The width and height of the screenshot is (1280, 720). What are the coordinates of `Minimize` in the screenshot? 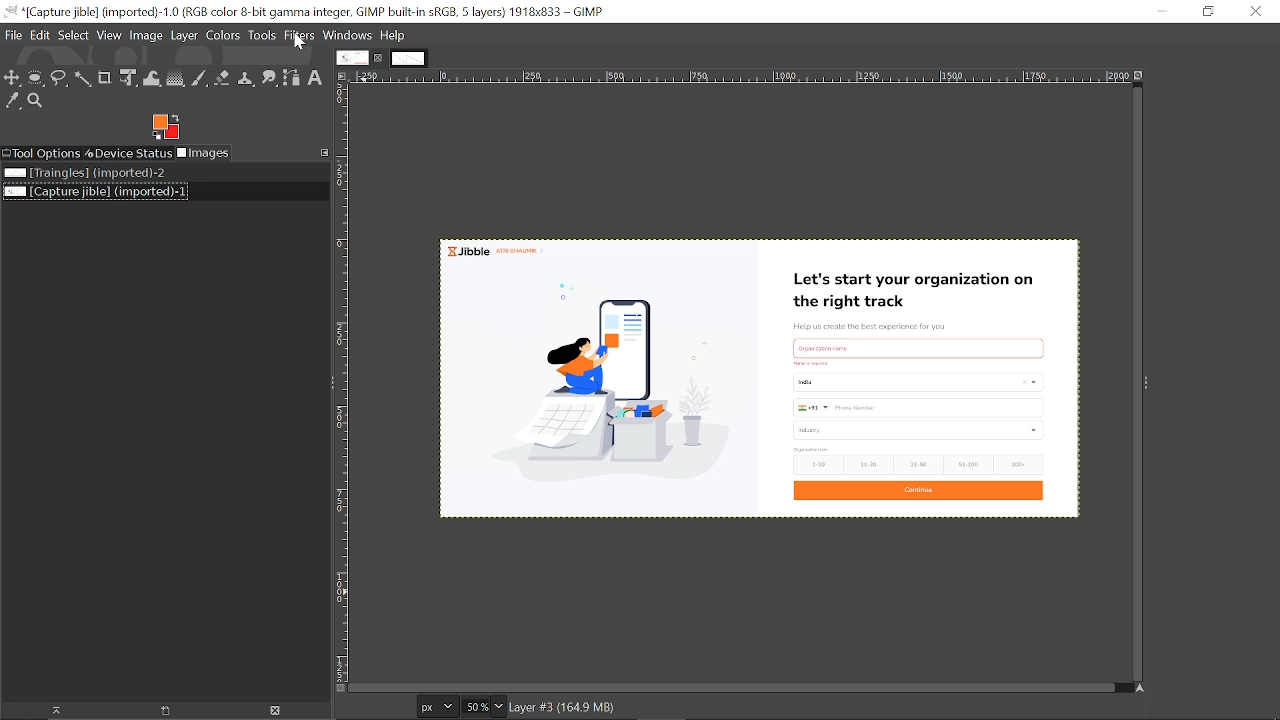 It's located at (1157, 11).